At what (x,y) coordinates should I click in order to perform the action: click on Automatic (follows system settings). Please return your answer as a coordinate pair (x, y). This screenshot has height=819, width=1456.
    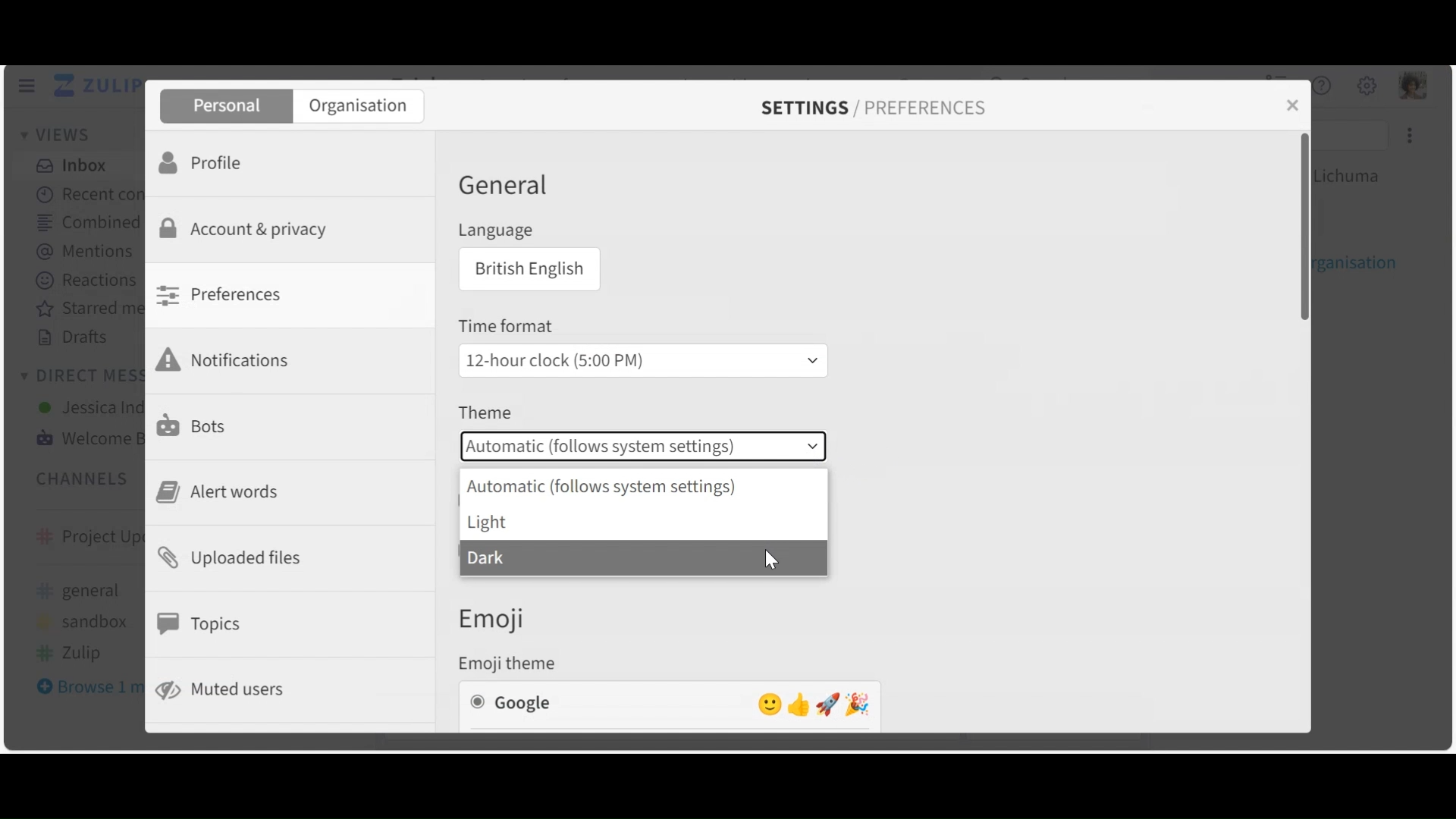
    Looking at the image, I should click on (640, 486).